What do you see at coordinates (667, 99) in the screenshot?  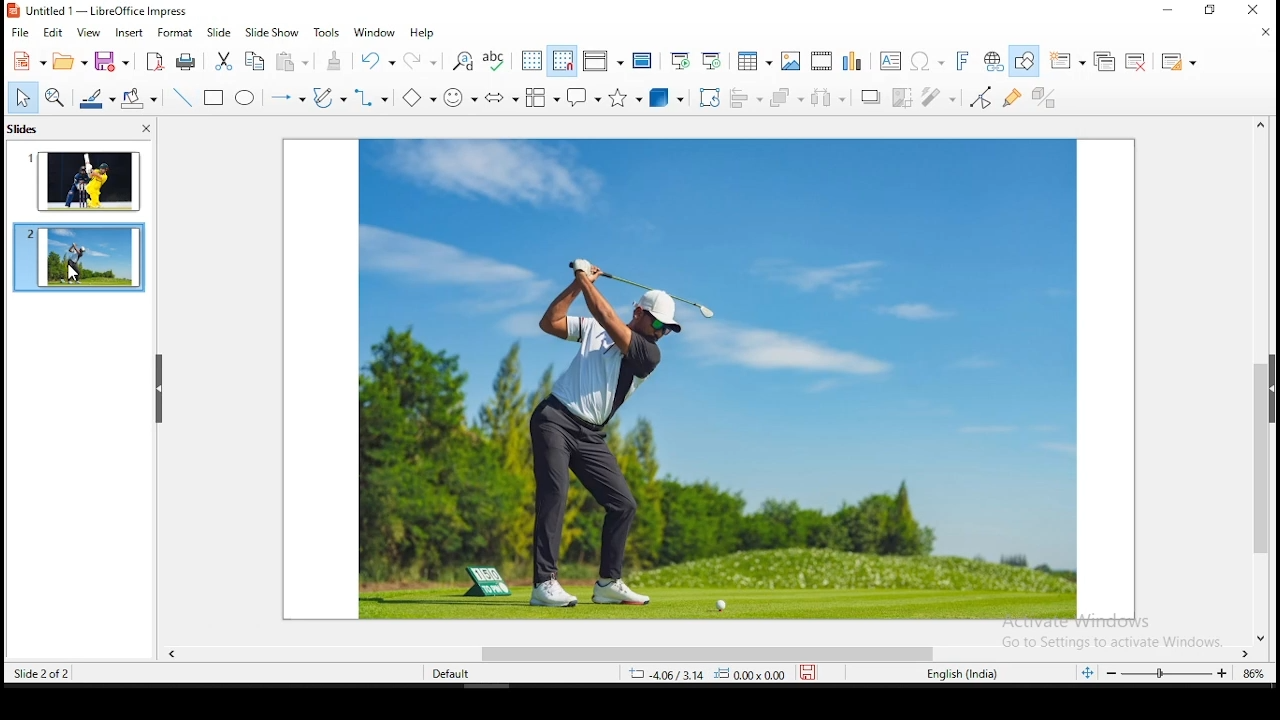 I see `3D shapes` at bounding box center [667, 99].